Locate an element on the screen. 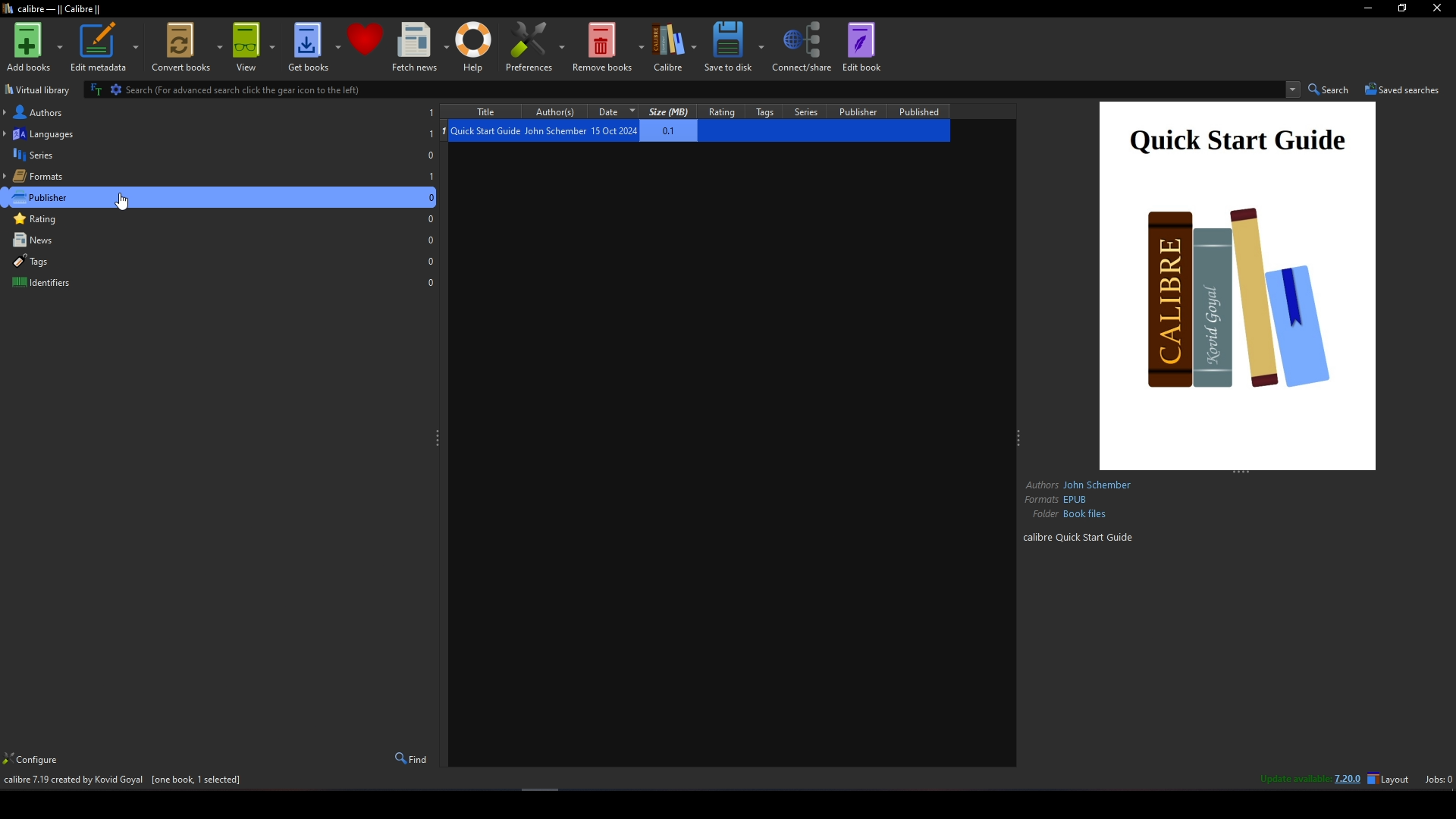  Search bar is located at coordinates (704, 89).